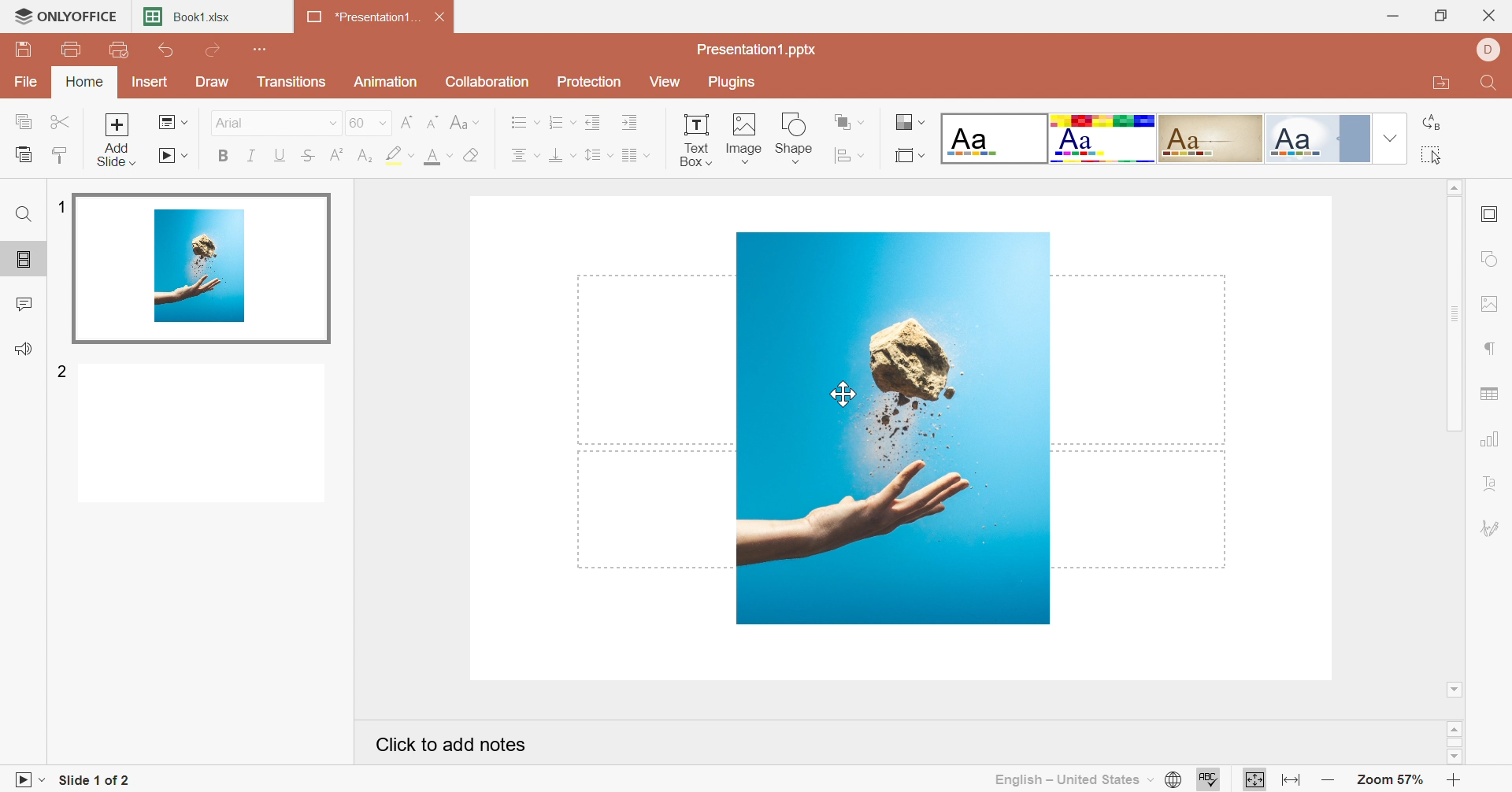  Describe the element at coordinates (23, 217) in the screenshot. I see `Find` at that location.